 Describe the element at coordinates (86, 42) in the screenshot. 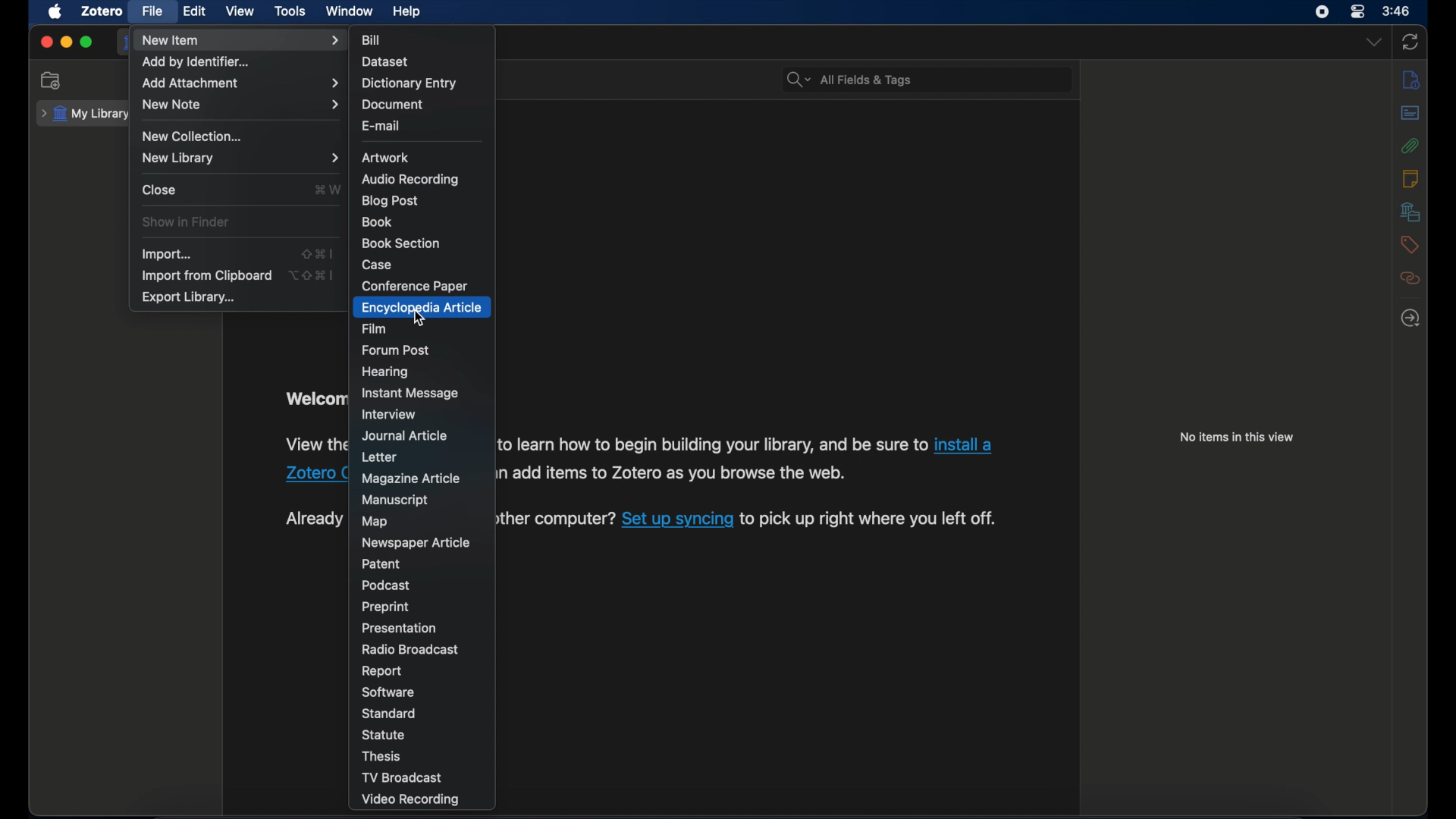

I see `maximize` at that location.